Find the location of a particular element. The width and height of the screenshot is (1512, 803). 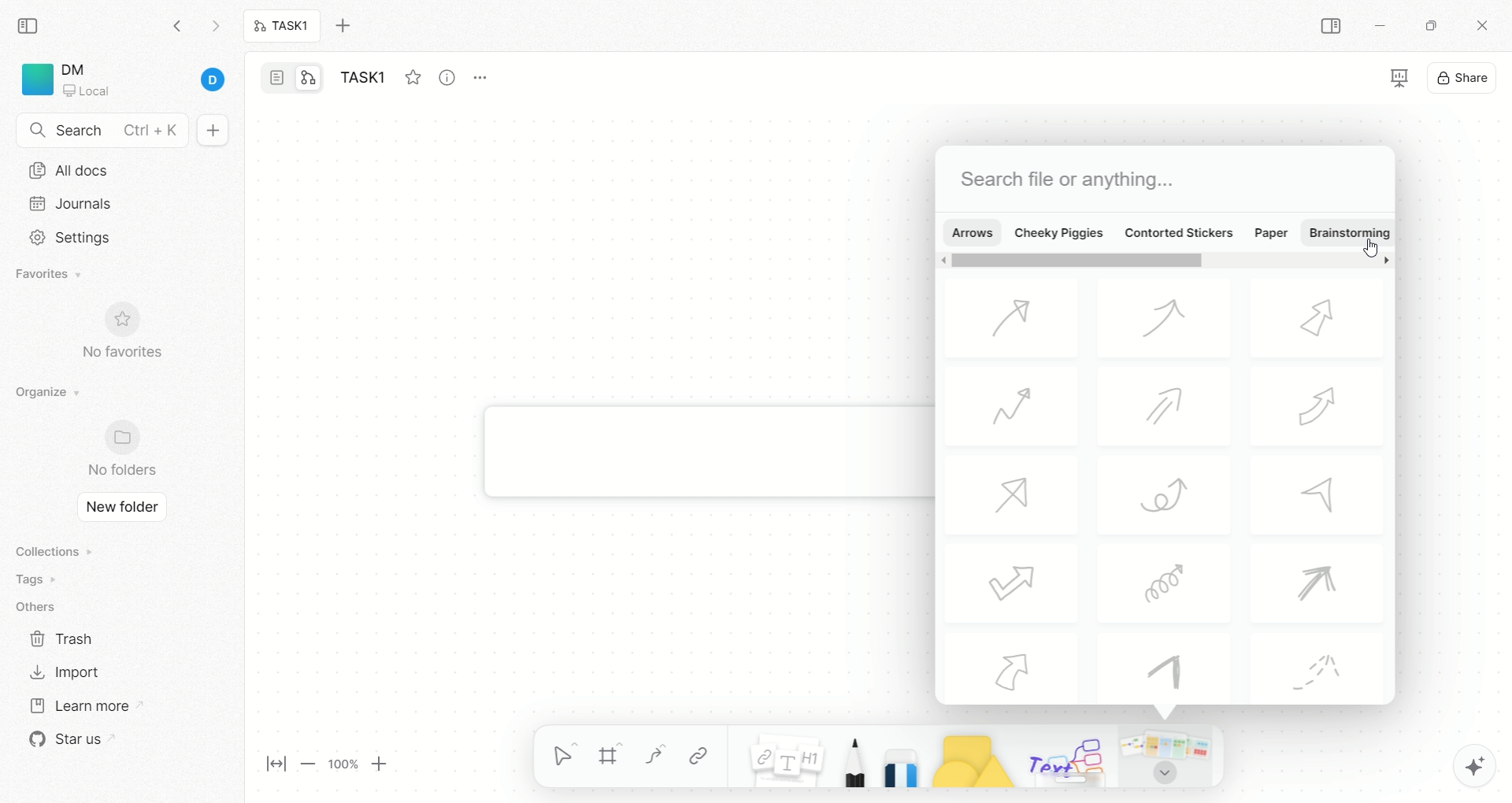

settings is located at coordinates (65, 238).